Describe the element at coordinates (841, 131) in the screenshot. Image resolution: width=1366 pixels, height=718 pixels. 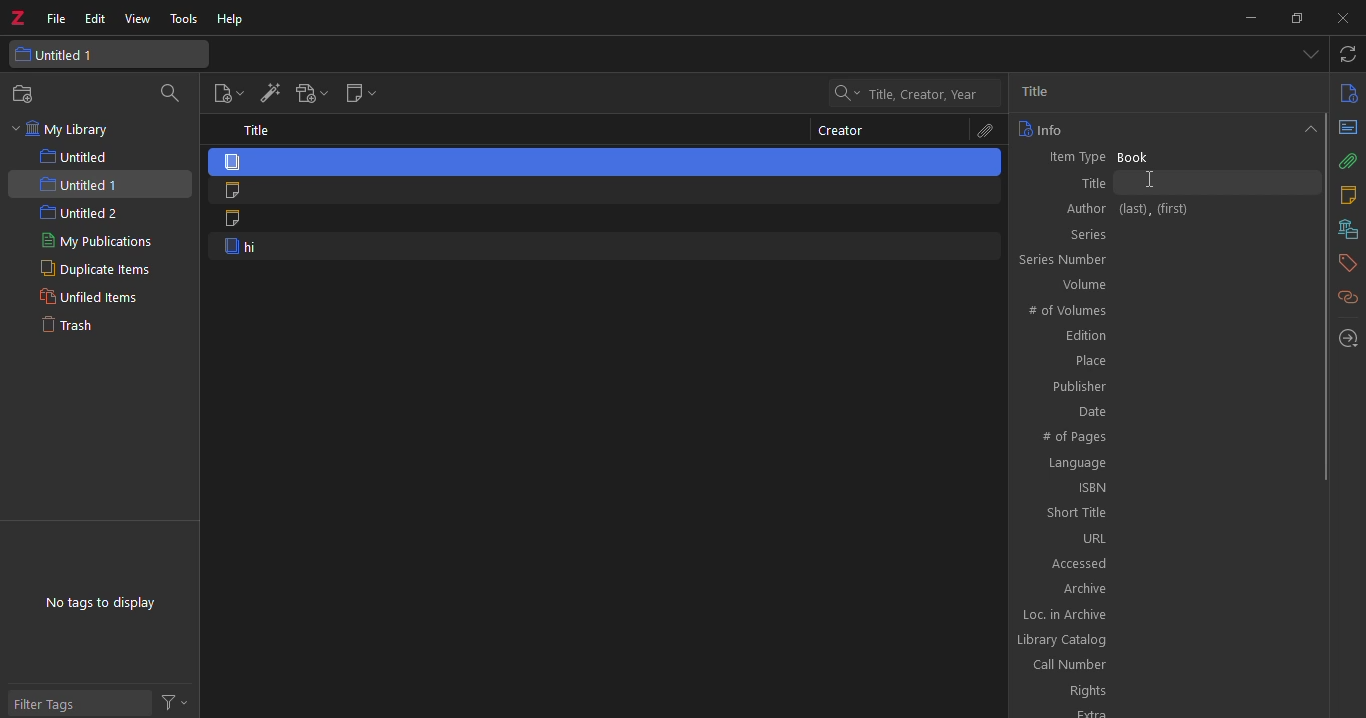
I see `creator` at that location.